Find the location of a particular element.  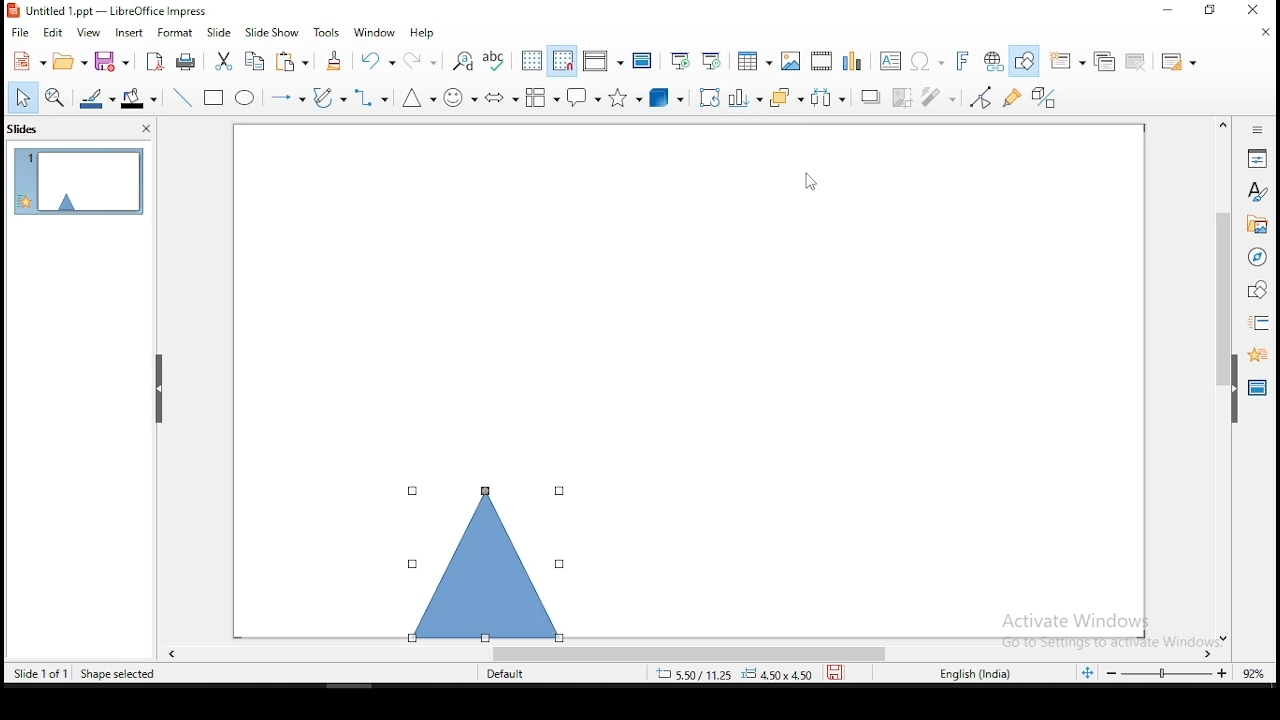

format is located at coordinates (175, 31).